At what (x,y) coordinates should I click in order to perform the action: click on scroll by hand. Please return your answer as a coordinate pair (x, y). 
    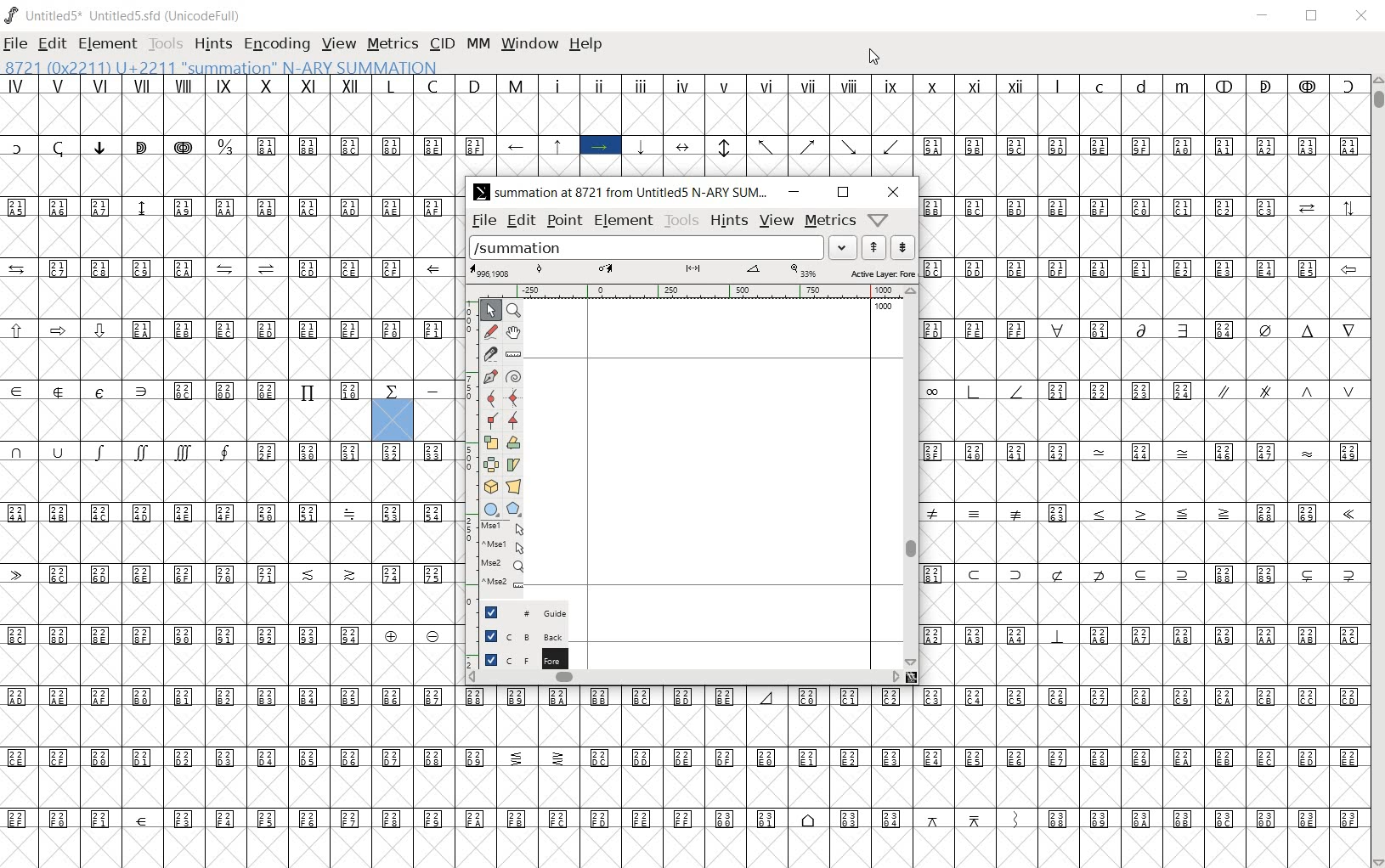
    Looking at the image, I should click on (514, 332).